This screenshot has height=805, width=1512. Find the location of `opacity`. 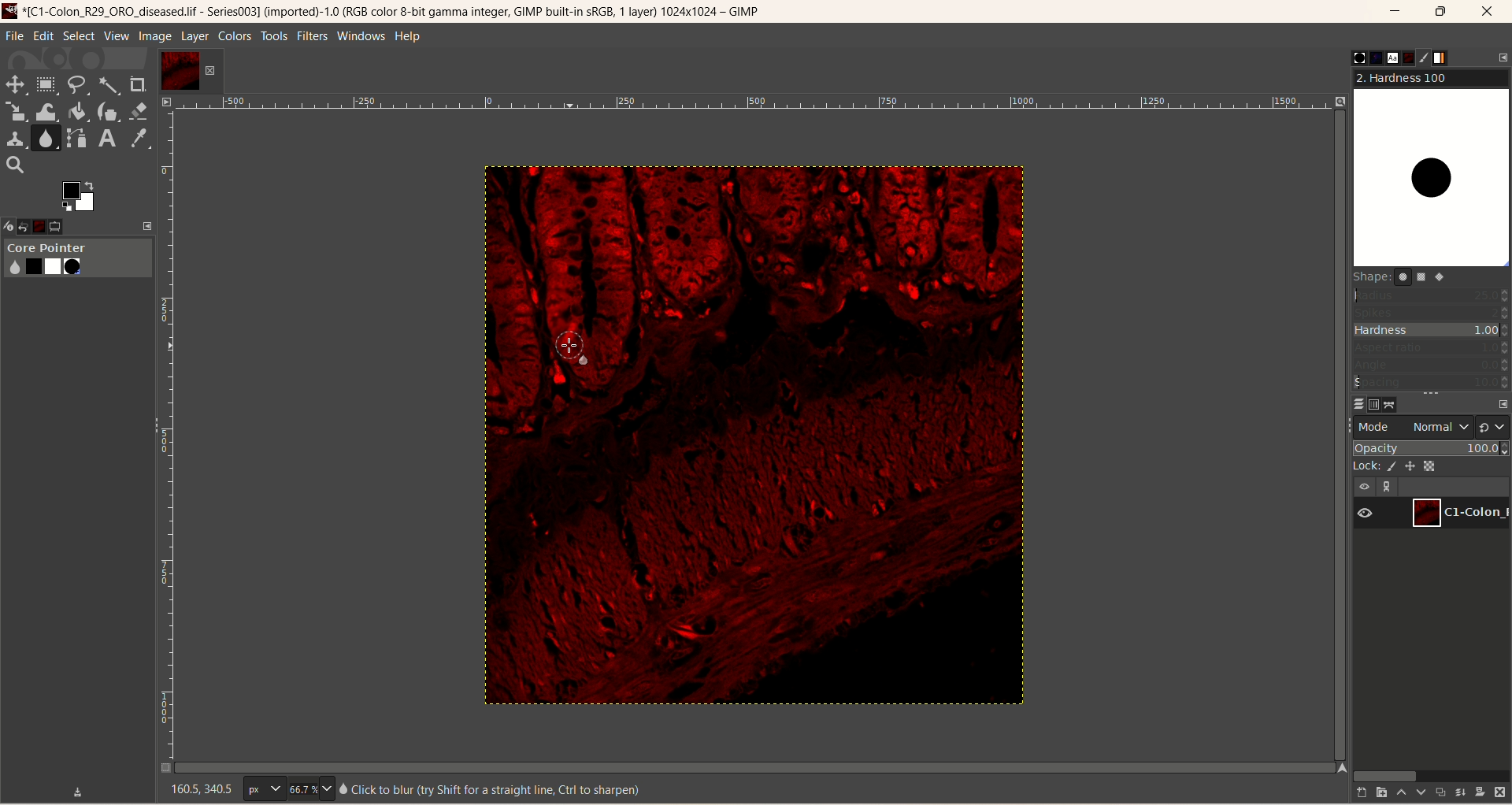

opacity is located at coordinates (1432, 447).